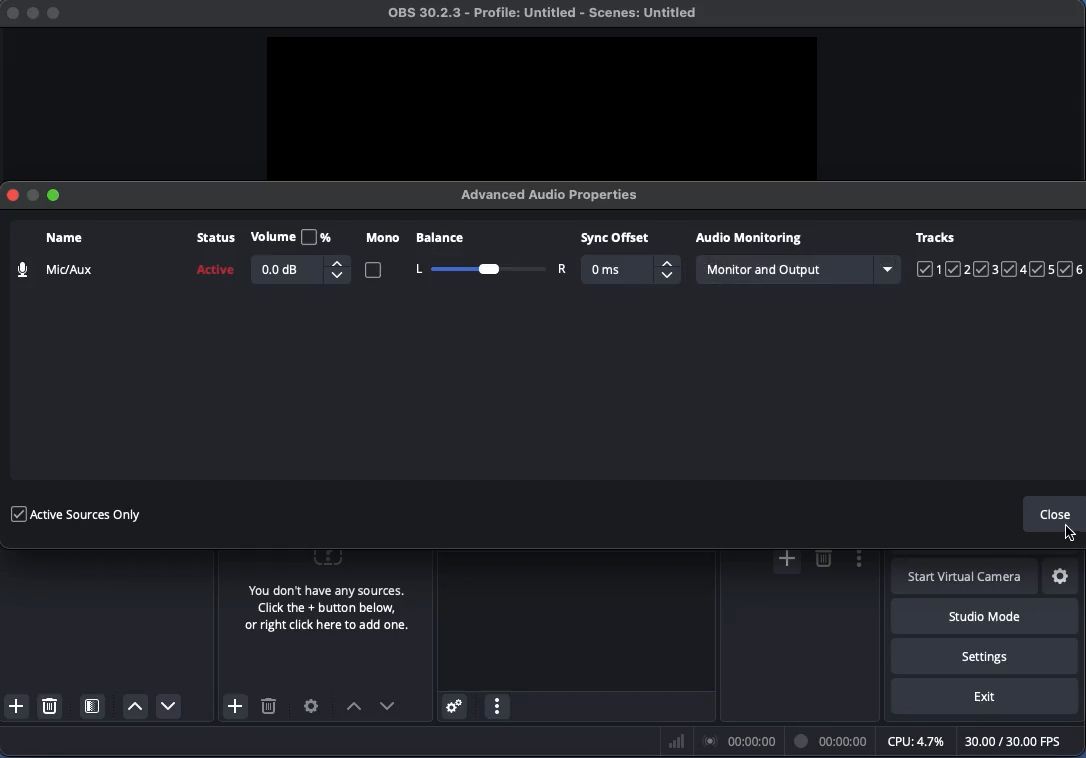 This screenshot has width=1086, height=758. I want to click on Time, so click(833, 740).